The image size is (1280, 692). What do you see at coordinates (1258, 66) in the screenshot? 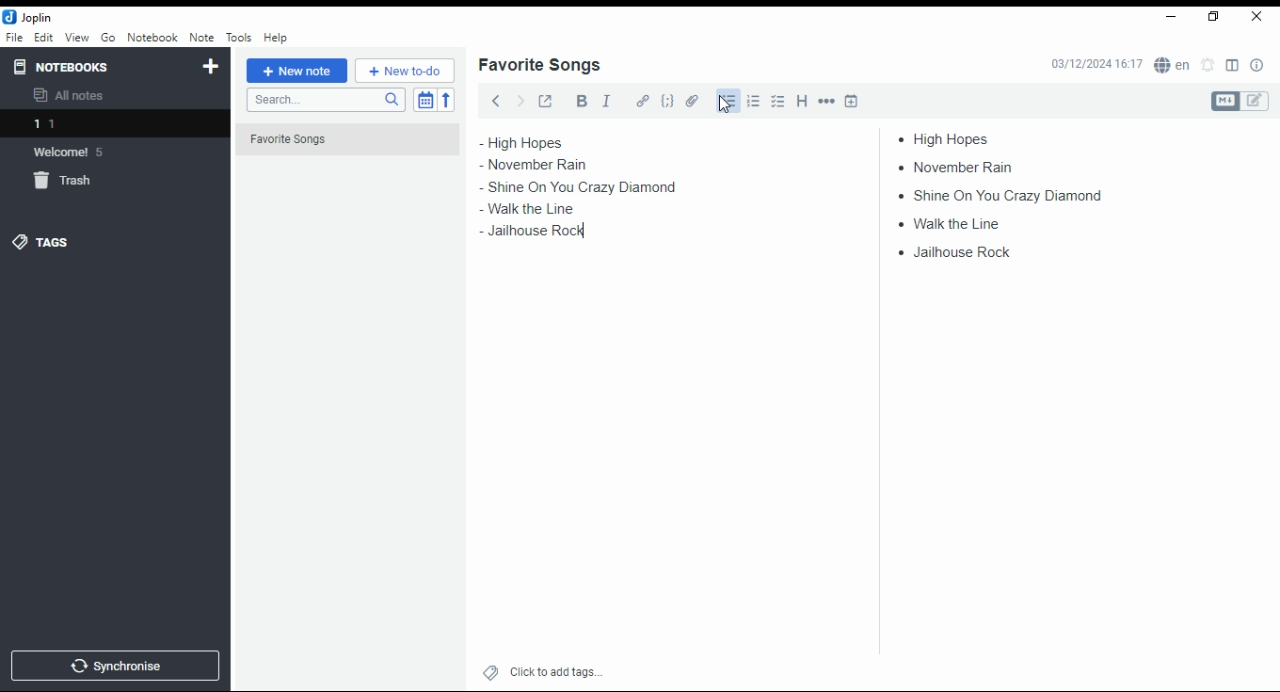
I see `note properties` at bounding box center [1258, 66].